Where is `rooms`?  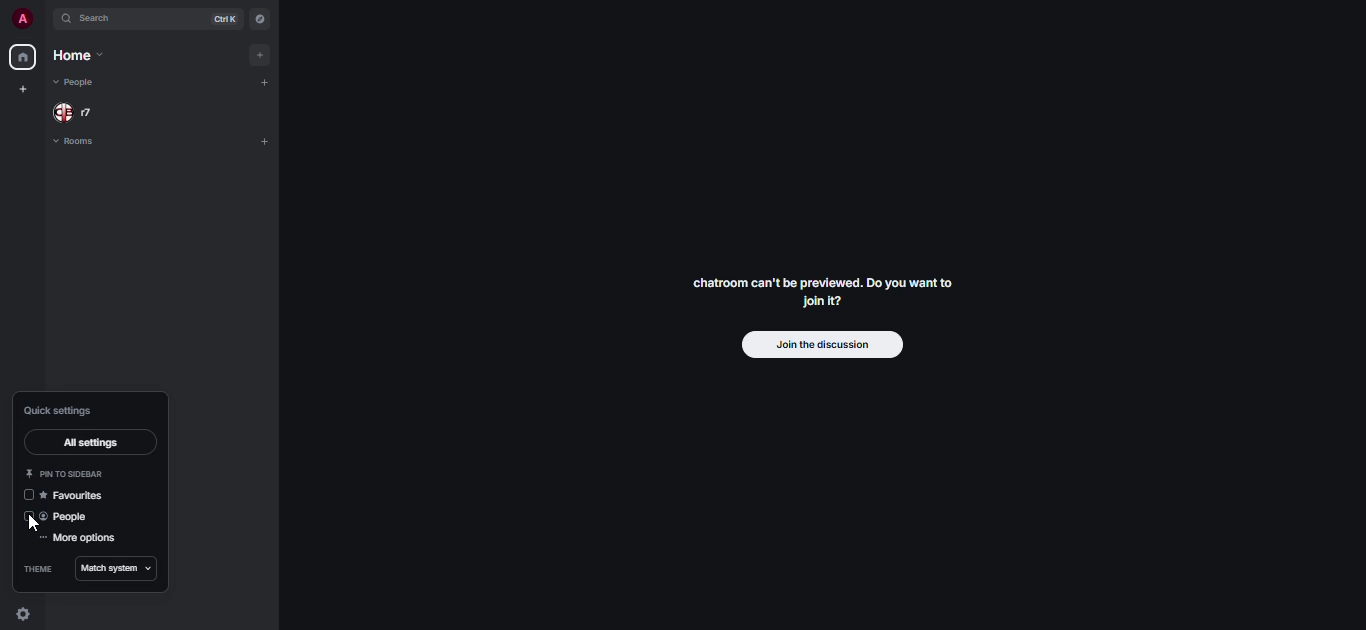
rooms is located at coordinates (76, 143).